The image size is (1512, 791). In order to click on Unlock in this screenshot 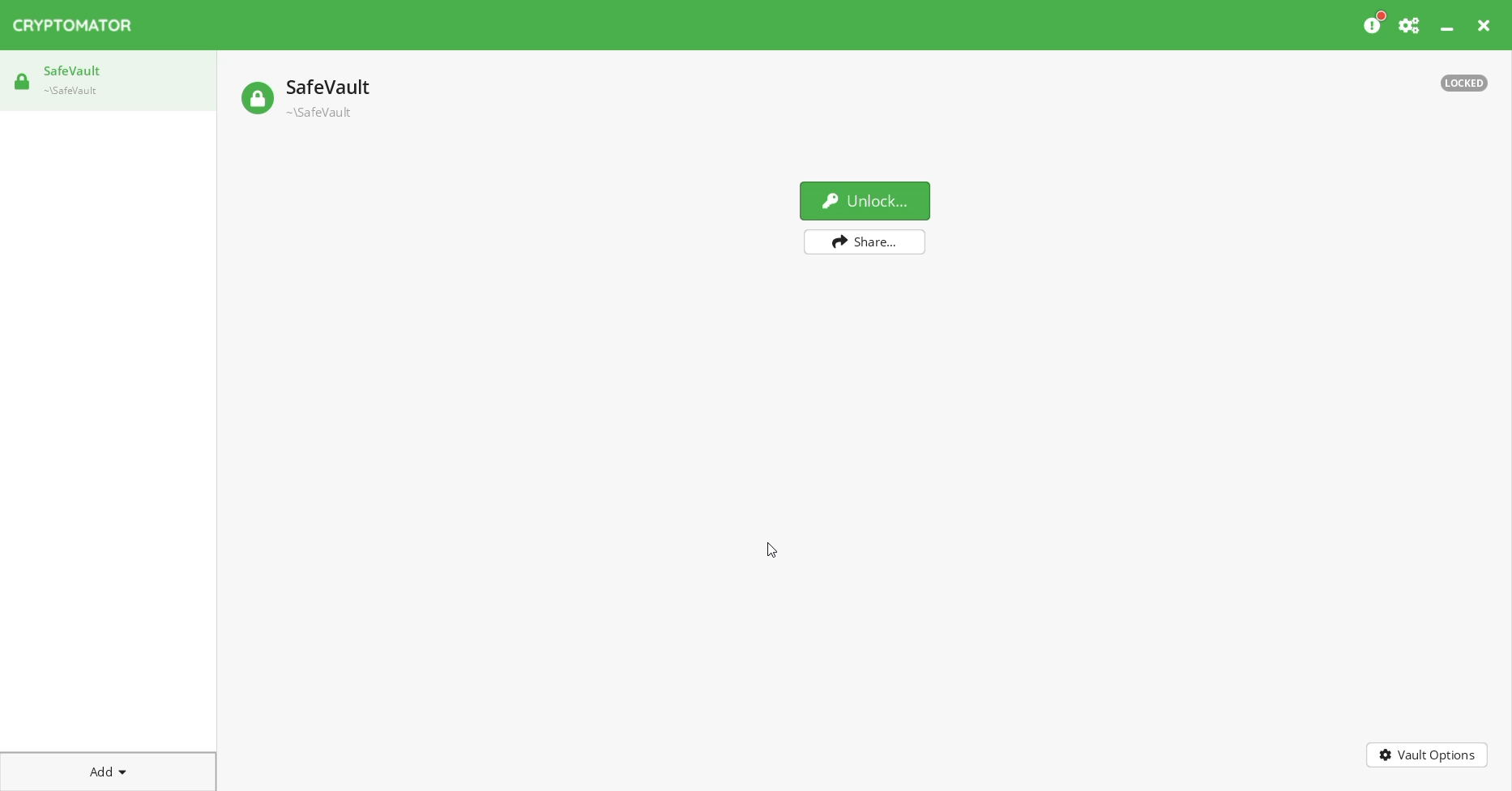, I will do `click(865, 199)`.